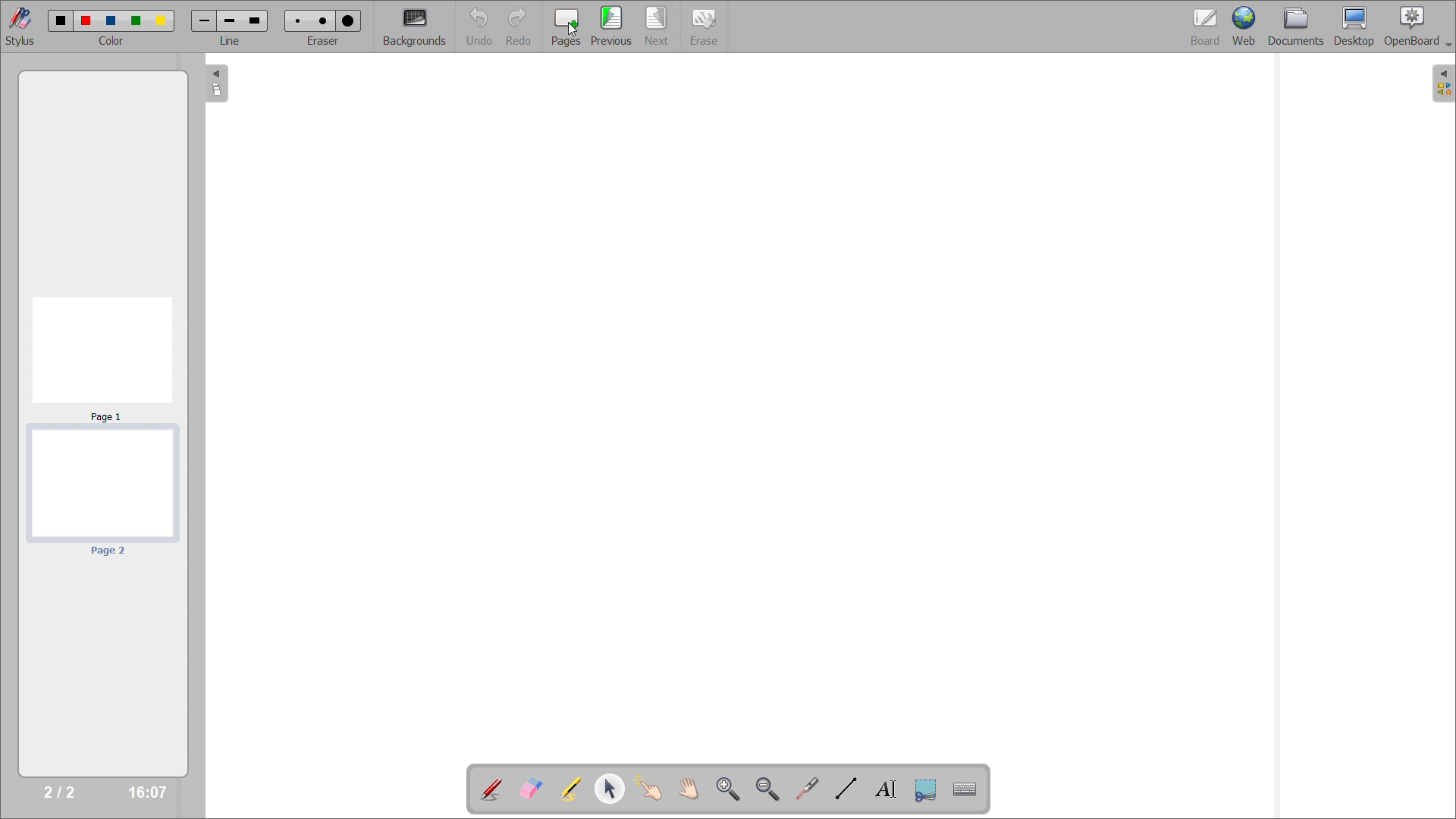  I want to click on stylus, so click(21, 27).